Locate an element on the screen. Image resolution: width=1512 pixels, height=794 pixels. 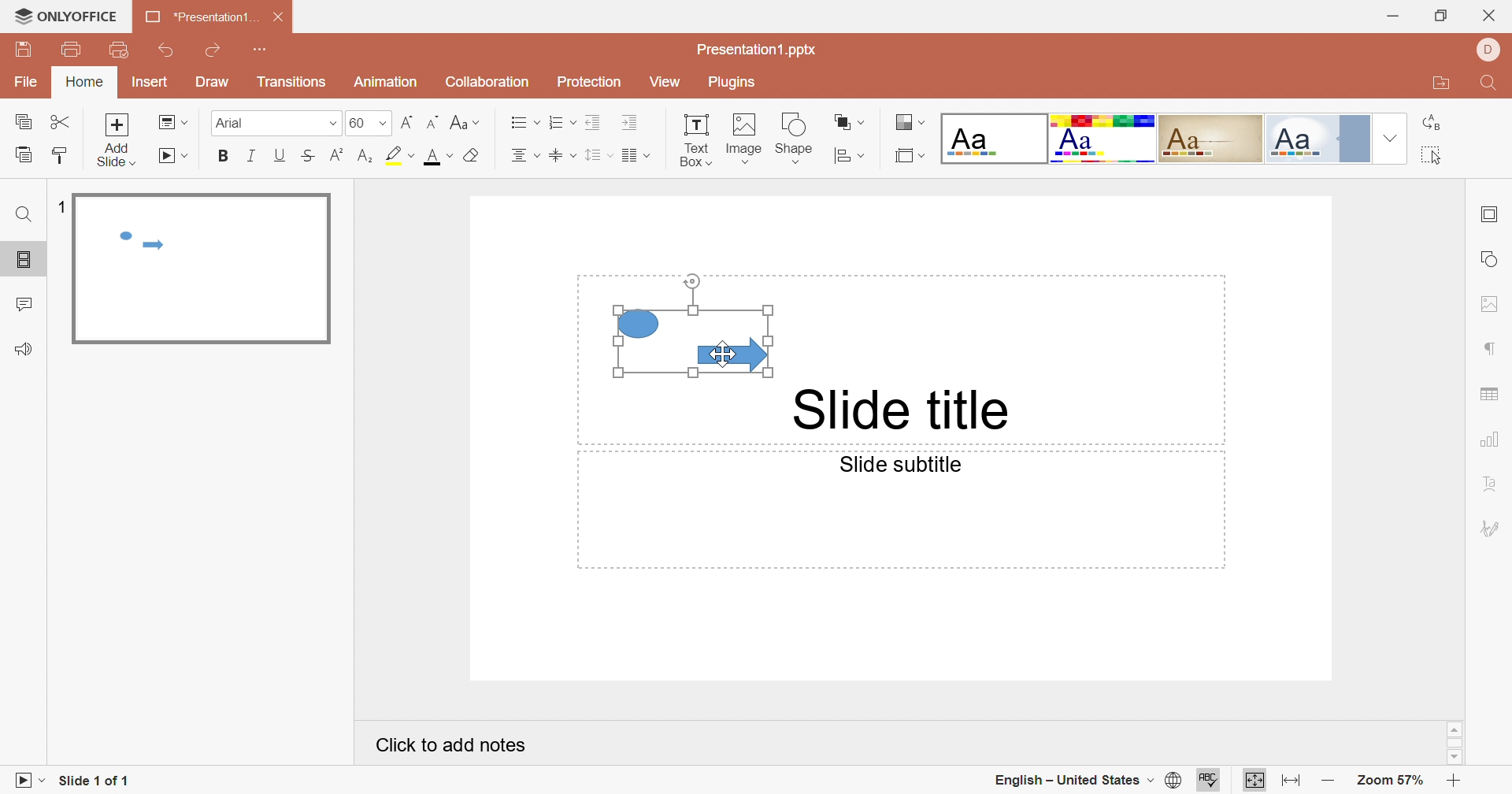
Paragraph settings is located at coordinates (1491, 350).